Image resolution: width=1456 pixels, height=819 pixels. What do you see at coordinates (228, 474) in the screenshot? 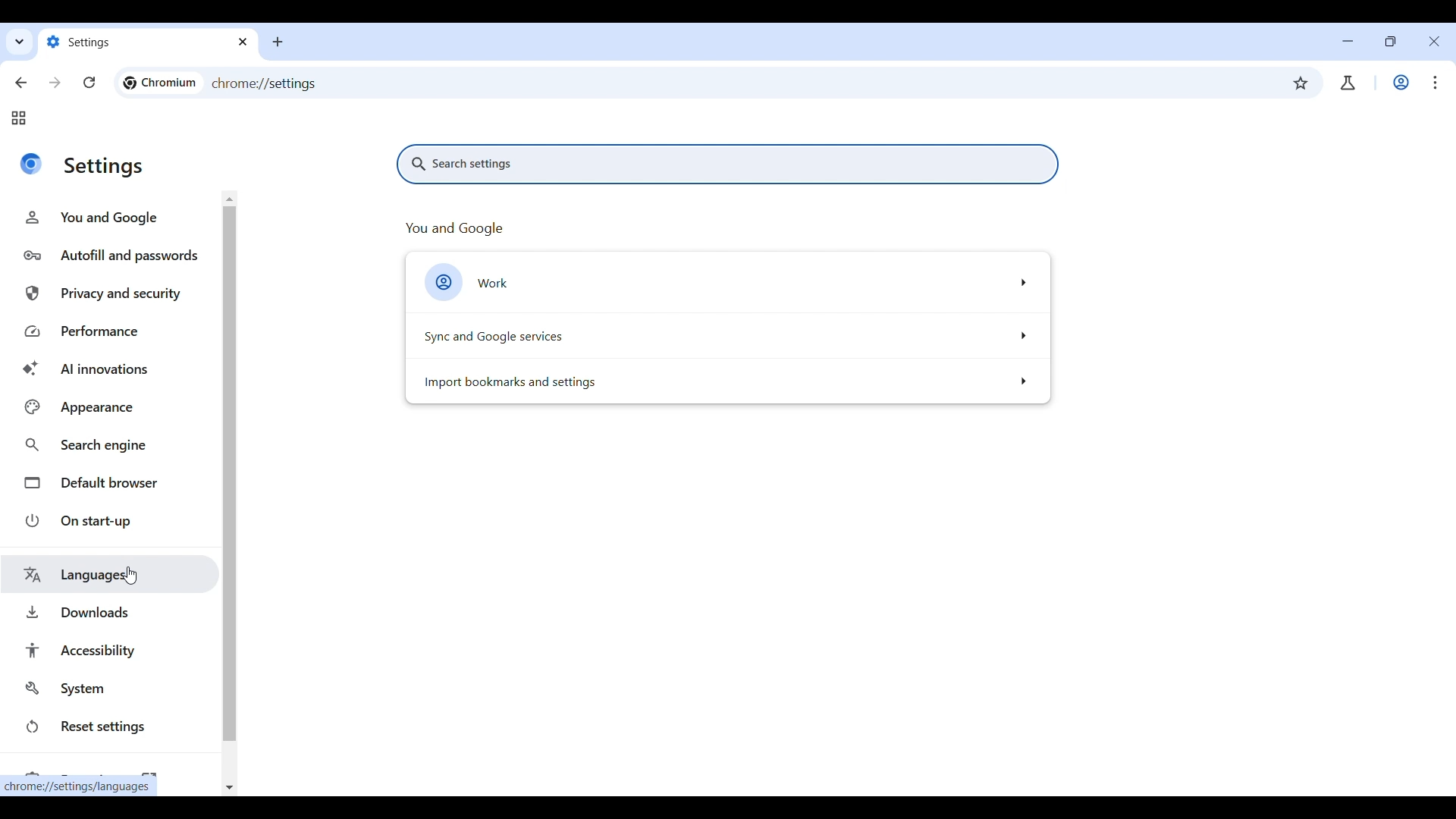
I see `Vertical slide bar` at bounding box center [228, 474].